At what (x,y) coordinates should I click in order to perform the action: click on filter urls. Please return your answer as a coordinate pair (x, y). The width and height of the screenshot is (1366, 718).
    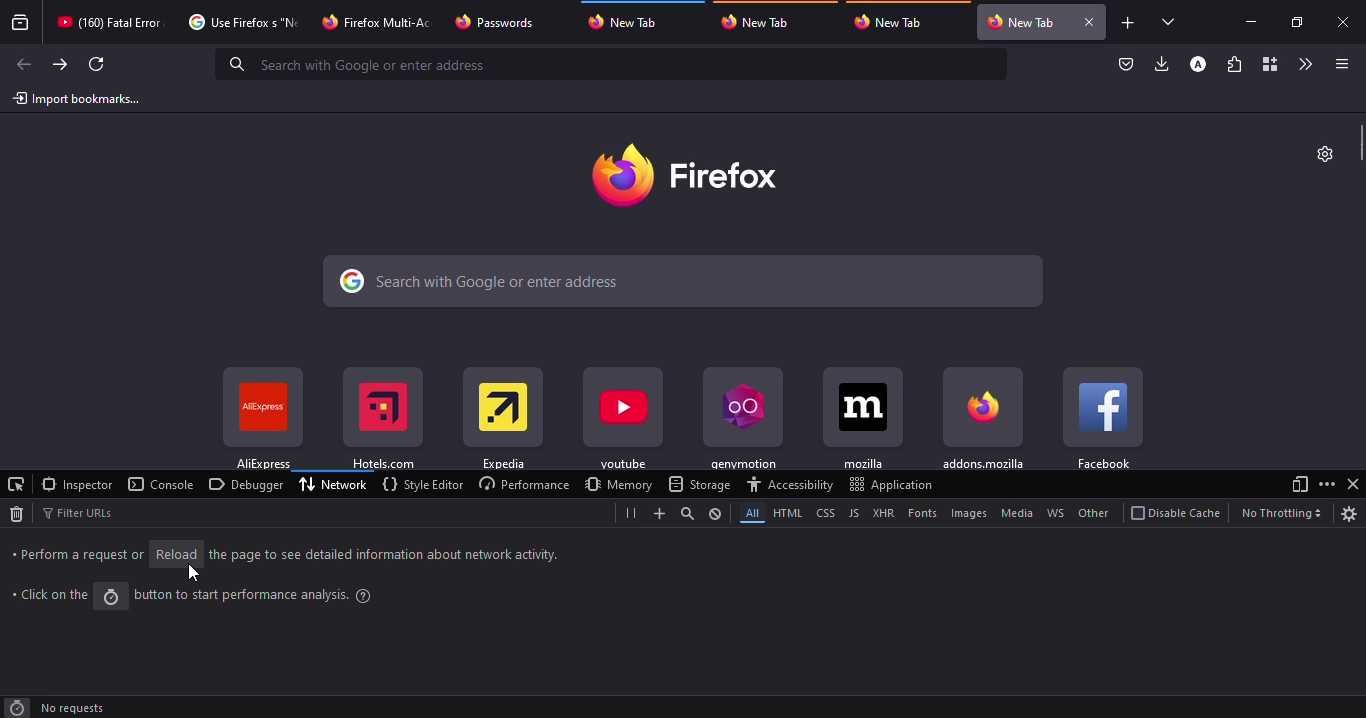
    Looking at the image, I should click on (79, 511).